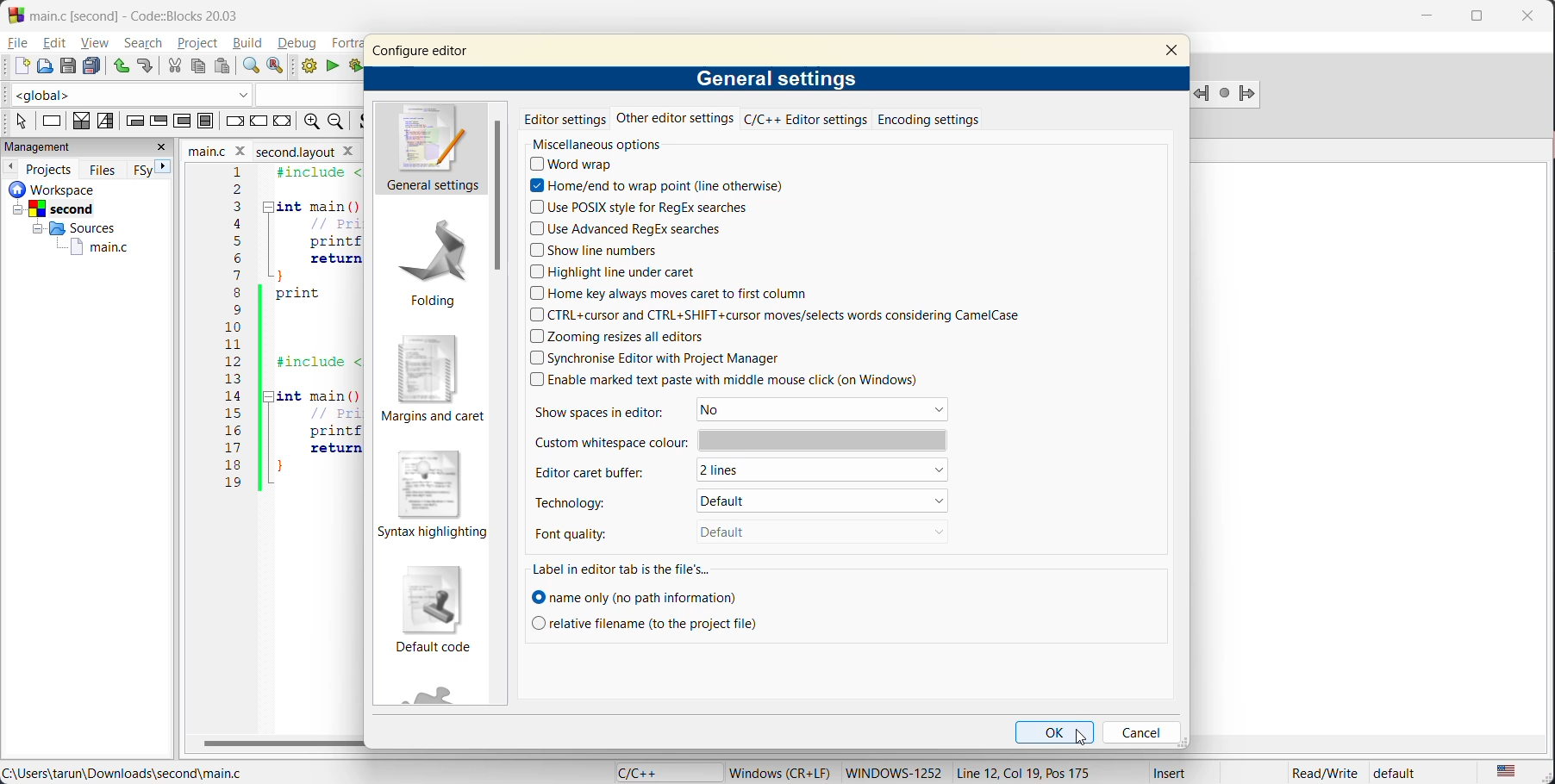 The width and height of the screenshot is (1555, 784). What do you see at coordinates (1139, 731) in the screenshot?
I see `cancel` at bounding box center [1139, 731].